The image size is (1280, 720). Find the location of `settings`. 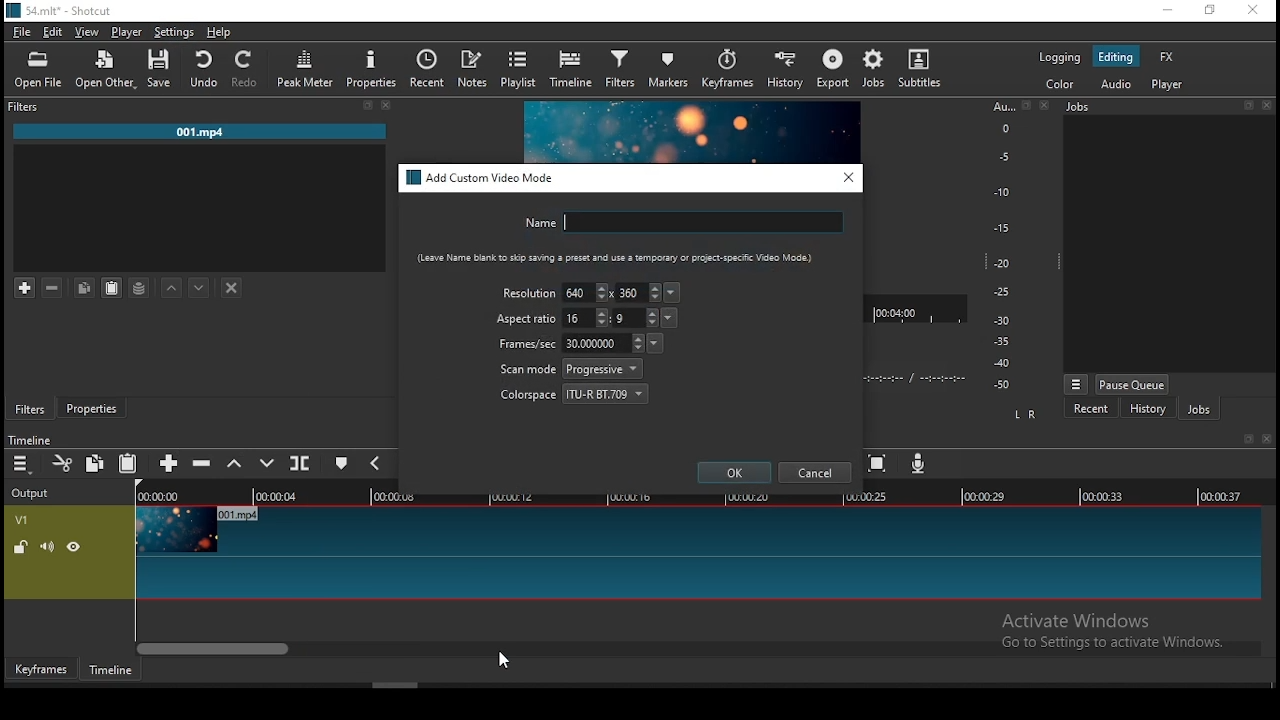

settings is located at coordinates (171, 32).